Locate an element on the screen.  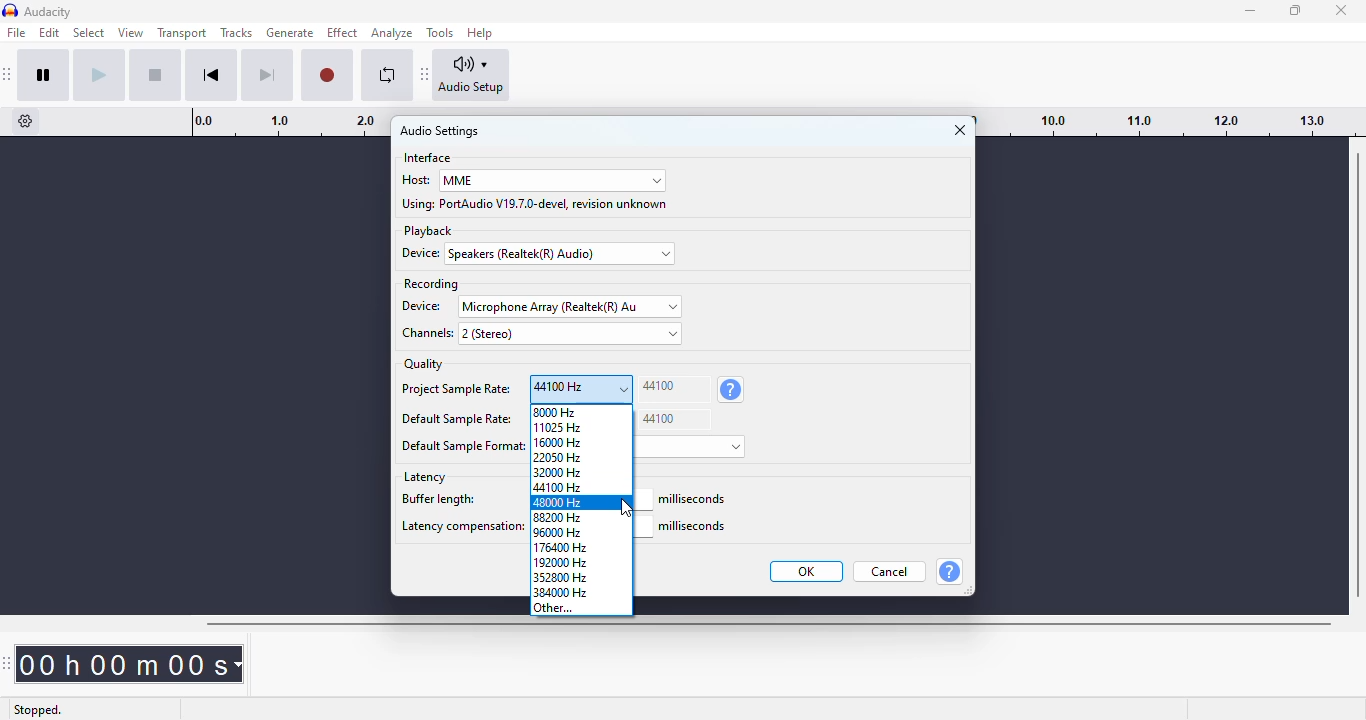
22050 Hz is located at coordinates (581, 456).